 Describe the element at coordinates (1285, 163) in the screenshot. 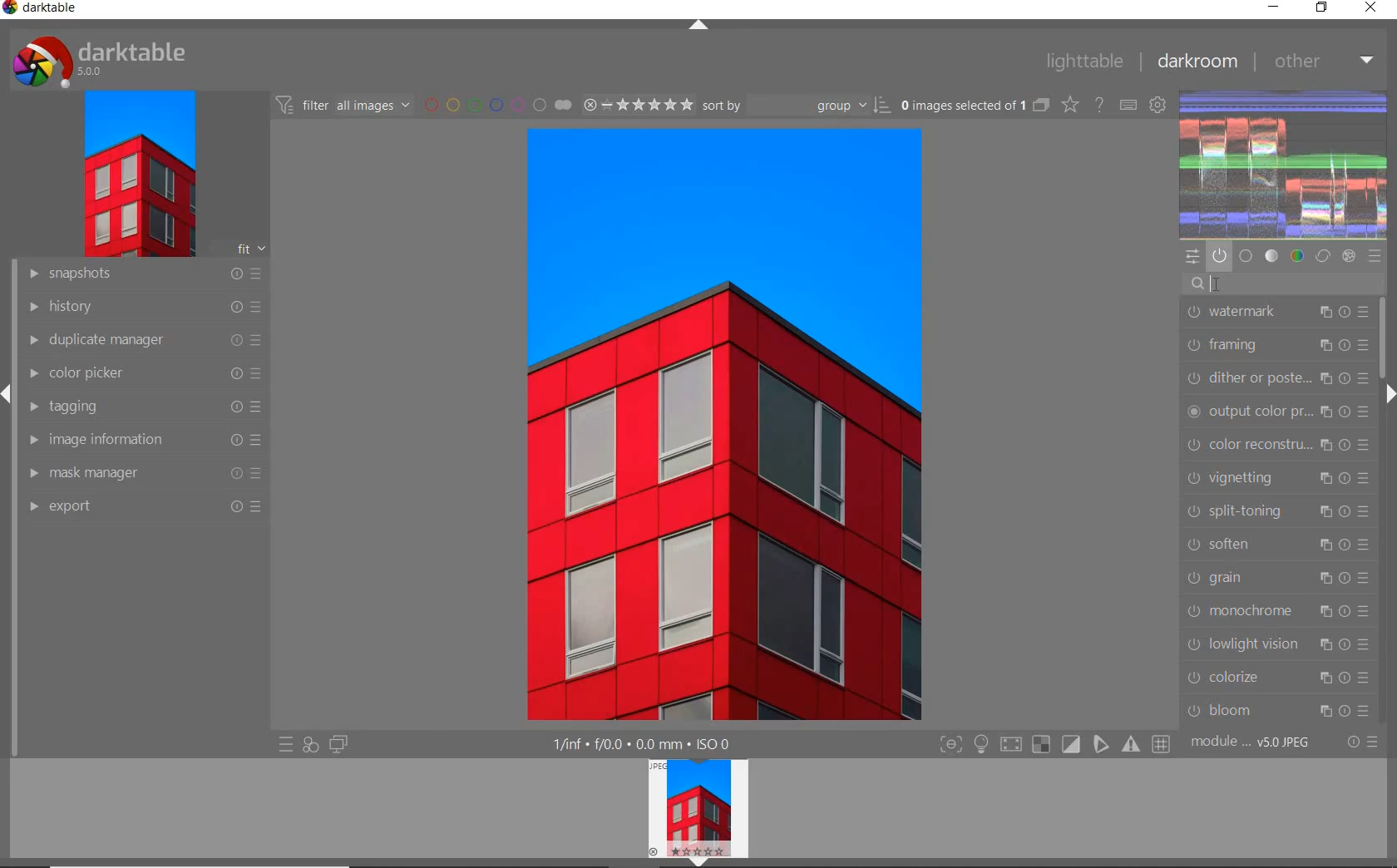

I see `waveform` at that location.